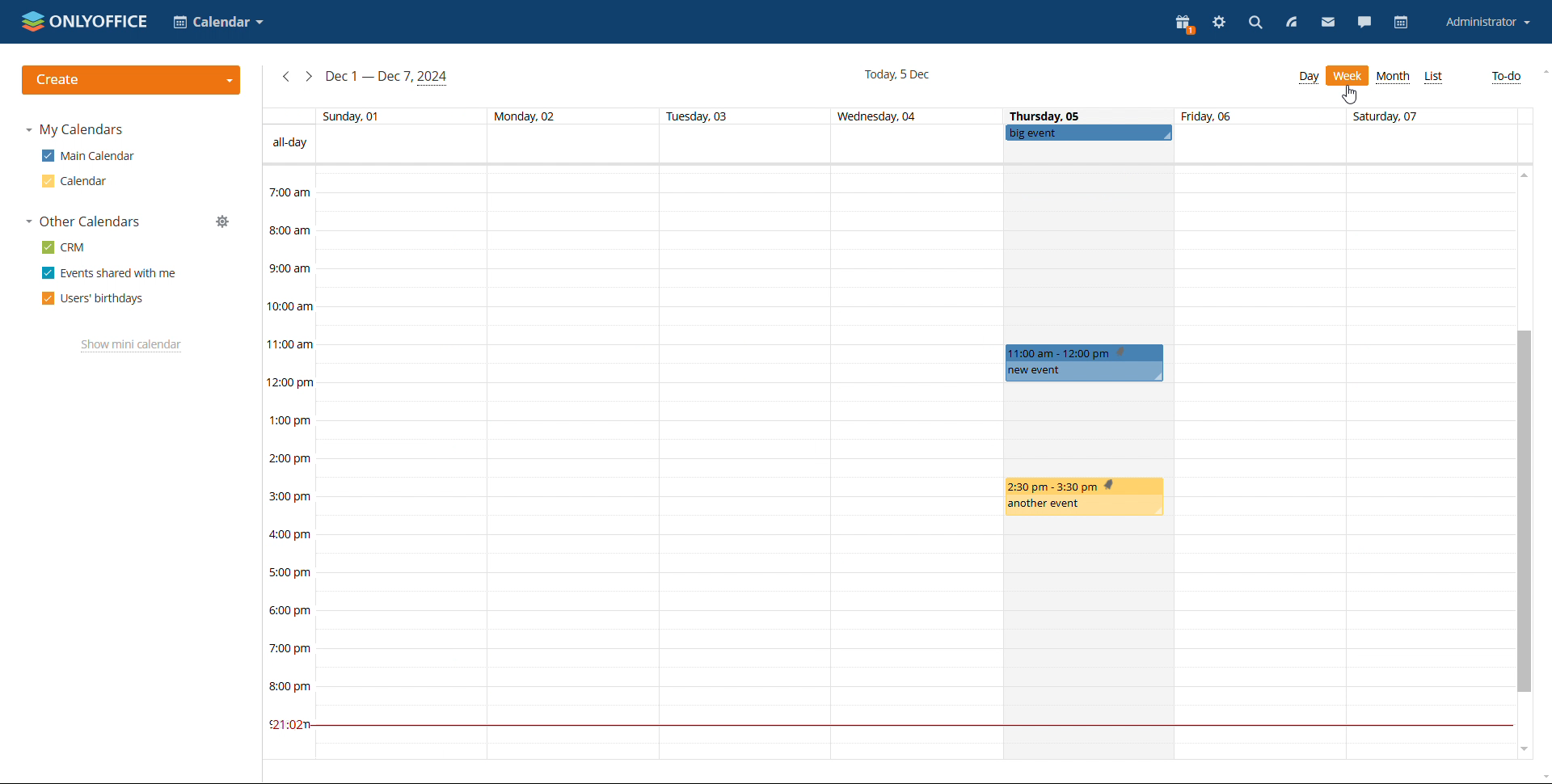 The width and height of the screenshot is (1552, 784). What do you see at coordinates (287, 77) in the screenshot?
I see `previous week` at bounding box center [287, 77].